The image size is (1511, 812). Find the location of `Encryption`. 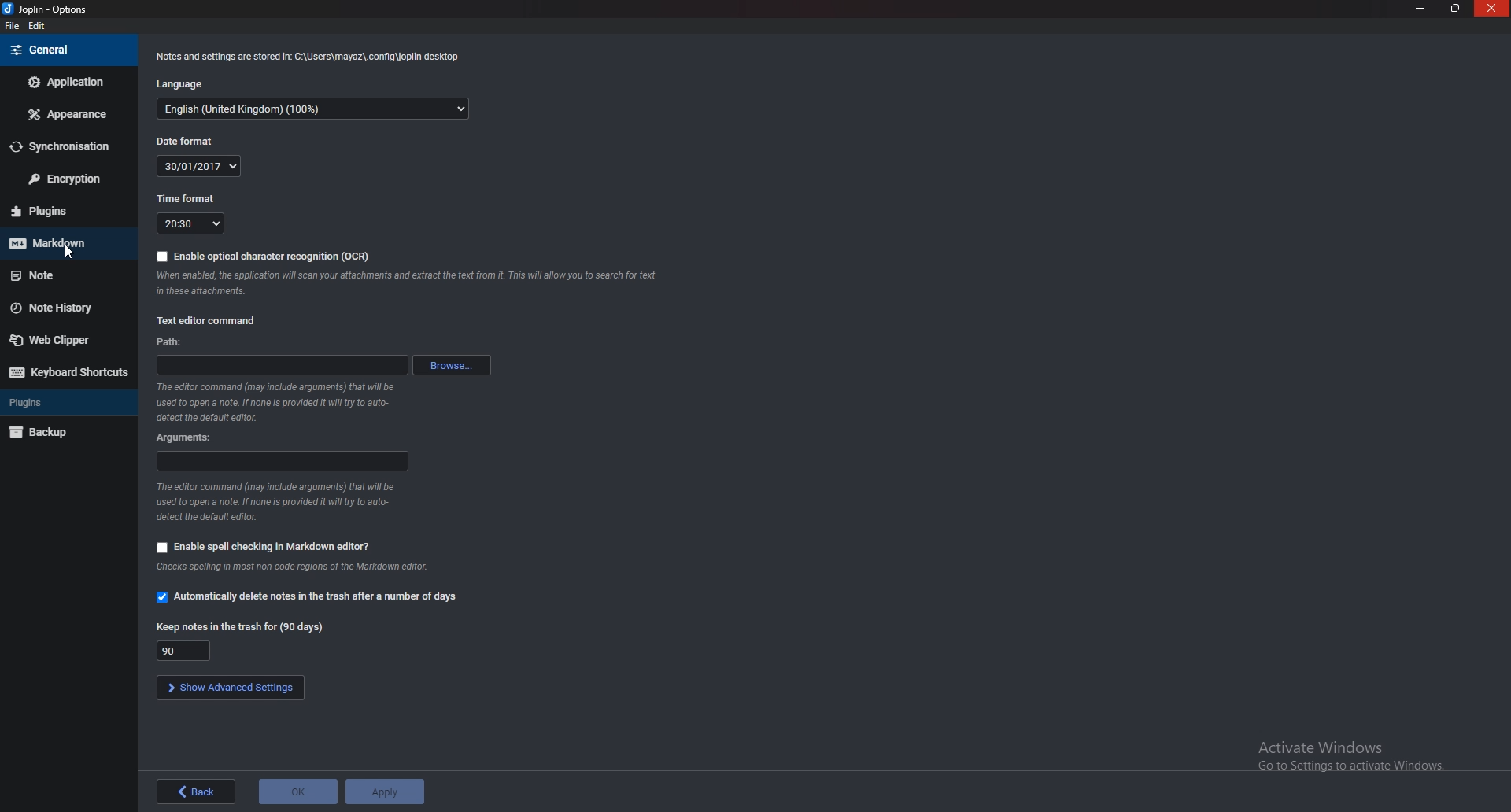

Encryption is located at coordinates (63, 180).